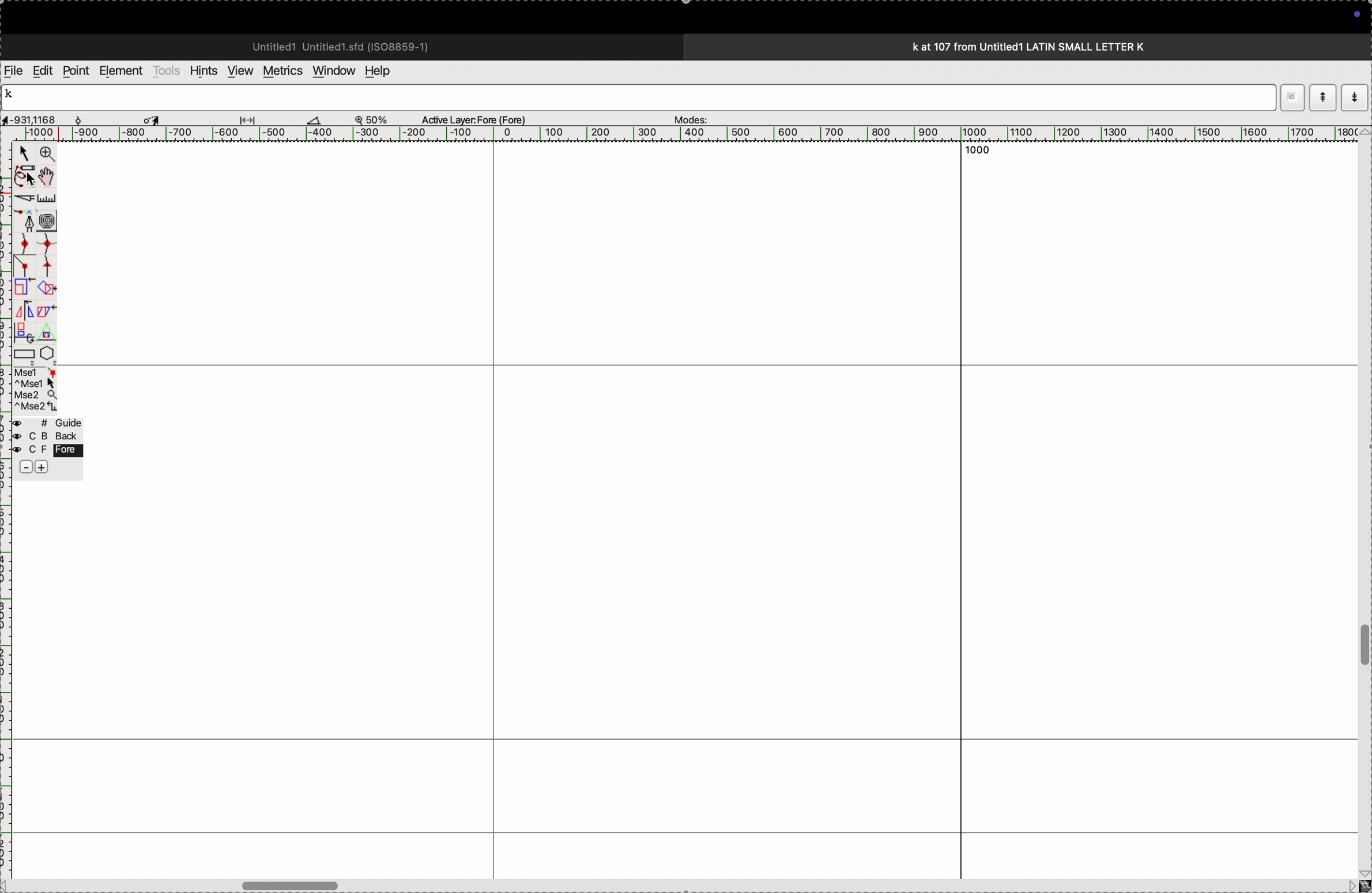 The image size is (1372, 893). Describe the element at coordinates (979, 152) in the screenshot. I see `1000` at that location.